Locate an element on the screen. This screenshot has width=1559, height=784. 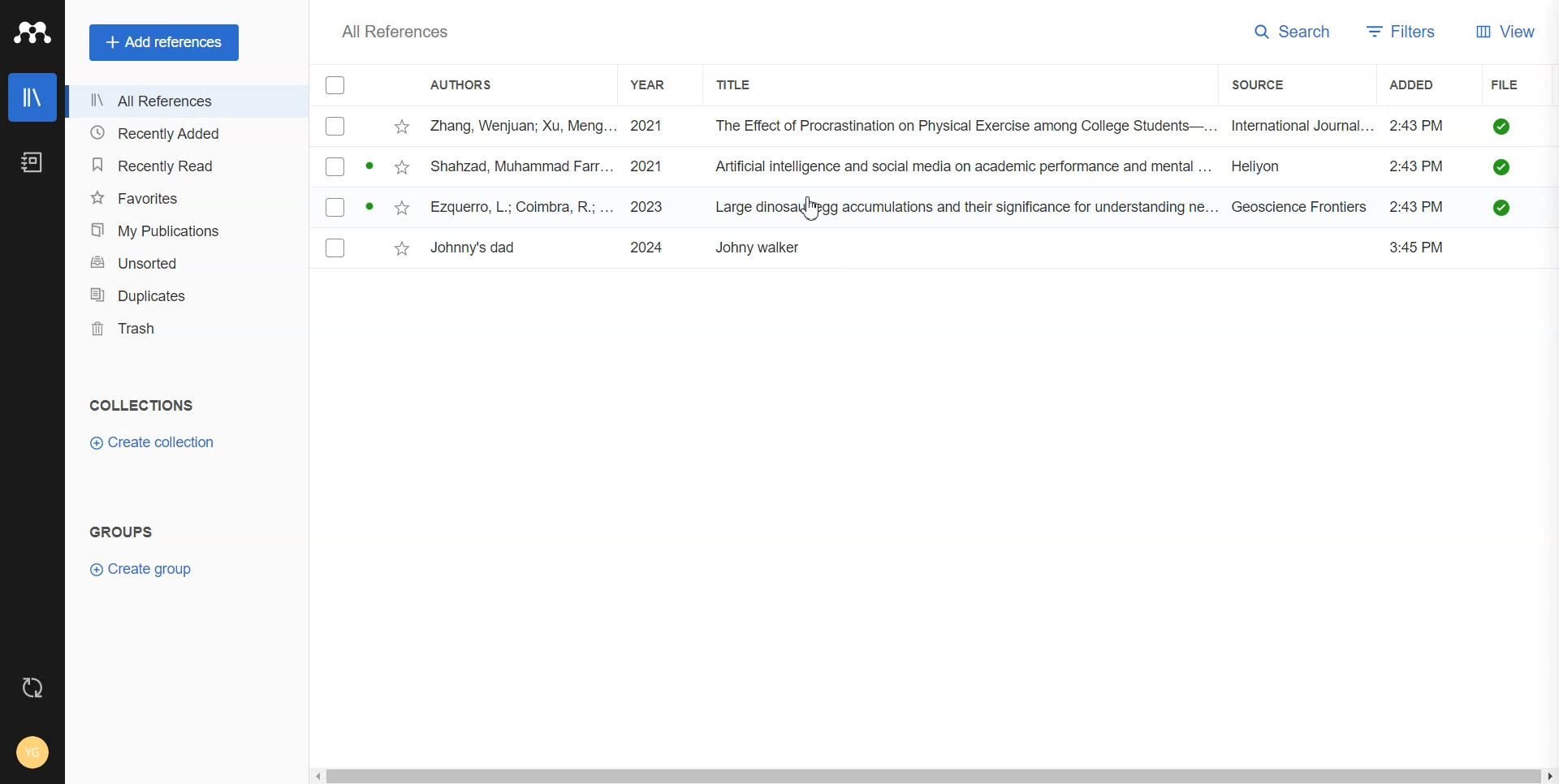
Filters is located at coordinates (1408, 32).